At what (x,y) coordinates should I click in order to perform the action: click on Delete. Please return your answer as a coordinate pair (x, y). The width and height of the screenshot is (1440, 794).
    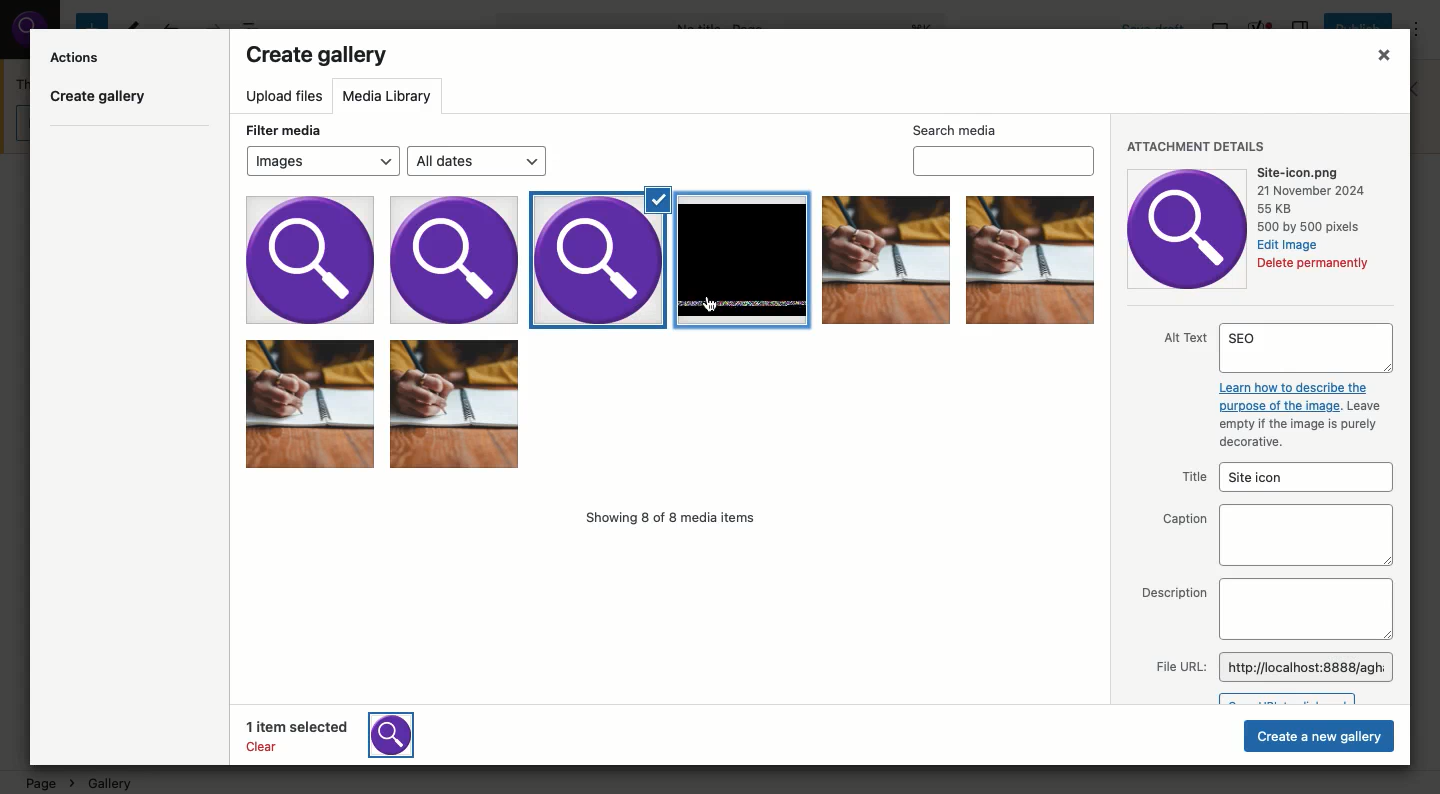
    Looking at the image, I should click on (1313, 265).